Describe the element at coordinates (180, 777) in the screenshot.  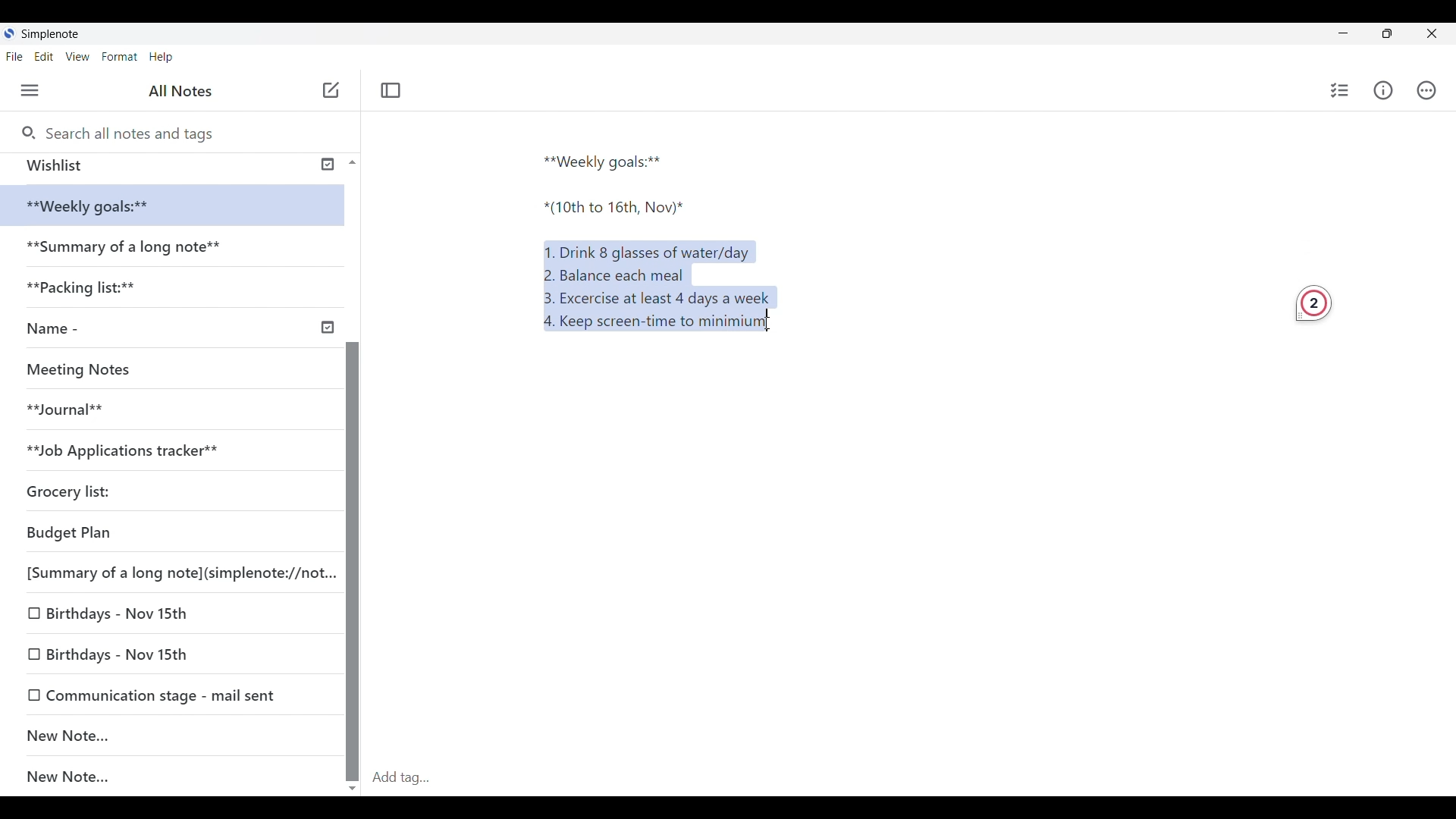
I see `New note...` at that location.